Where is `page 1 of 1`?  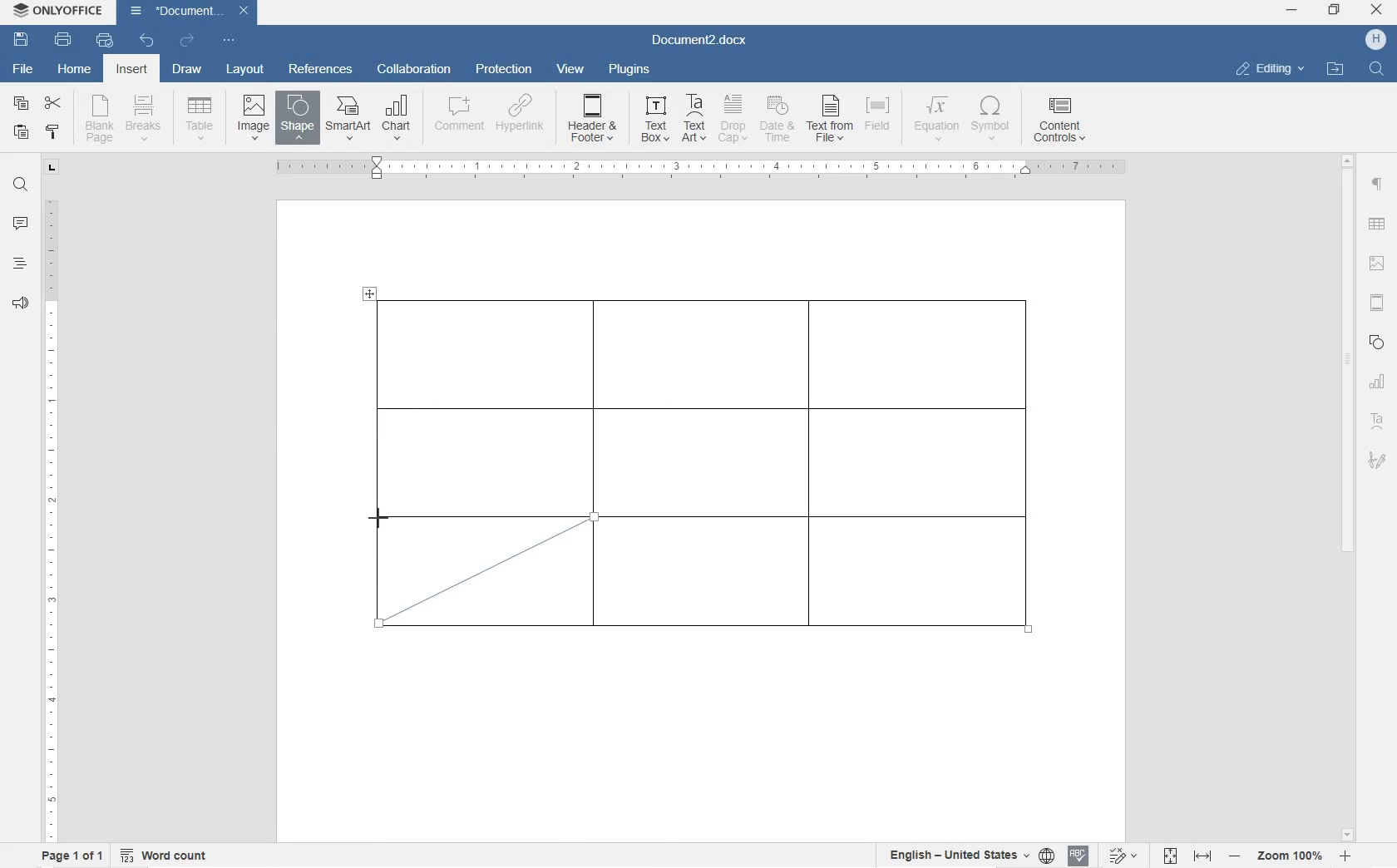
page 1 of 1 is located at coordinates (70, 856).